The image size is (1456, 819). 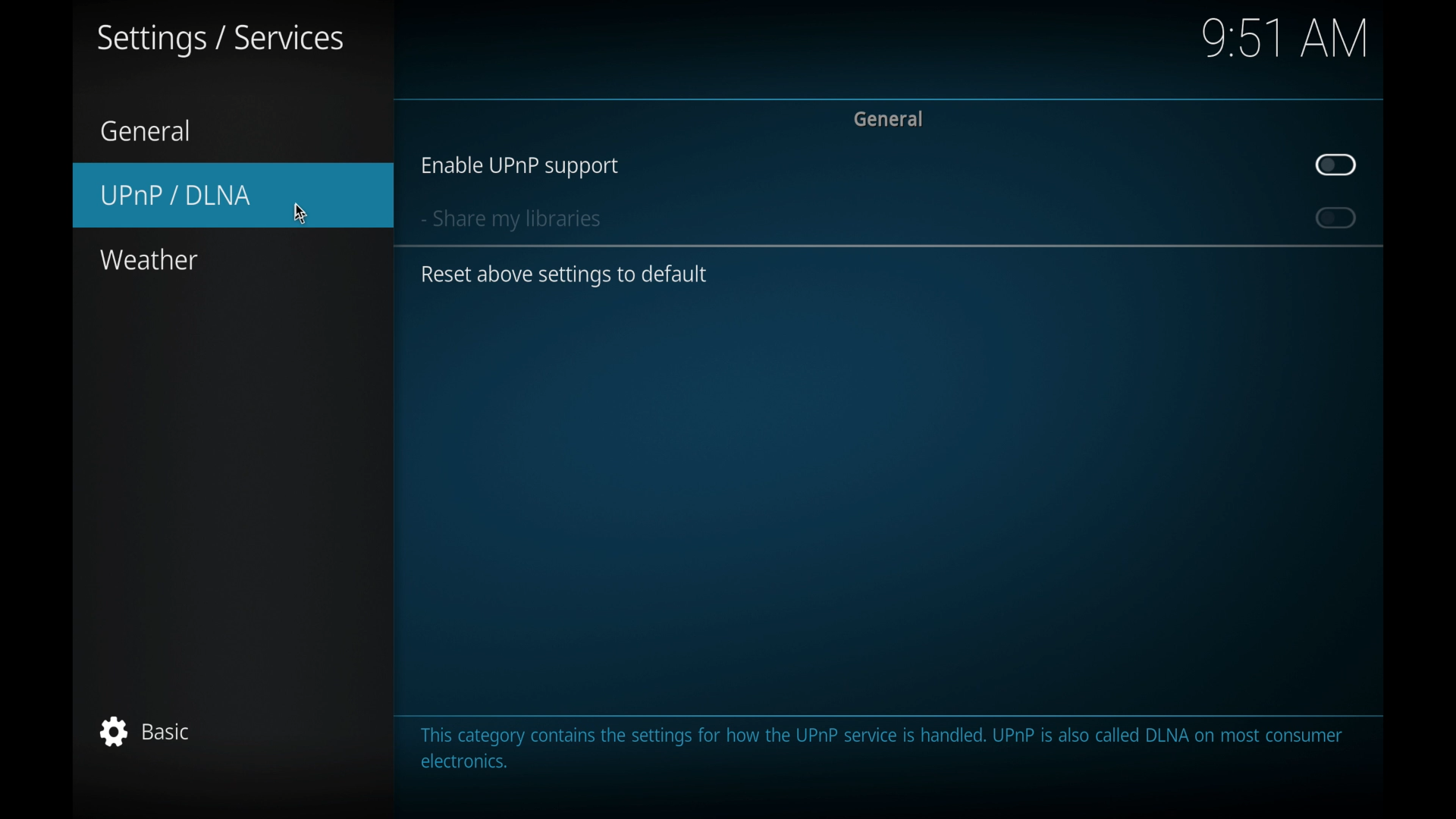 What do you see at coordinates (1285, 39) in the screenshot?
I see `time` at bounding box center [1285, 39].